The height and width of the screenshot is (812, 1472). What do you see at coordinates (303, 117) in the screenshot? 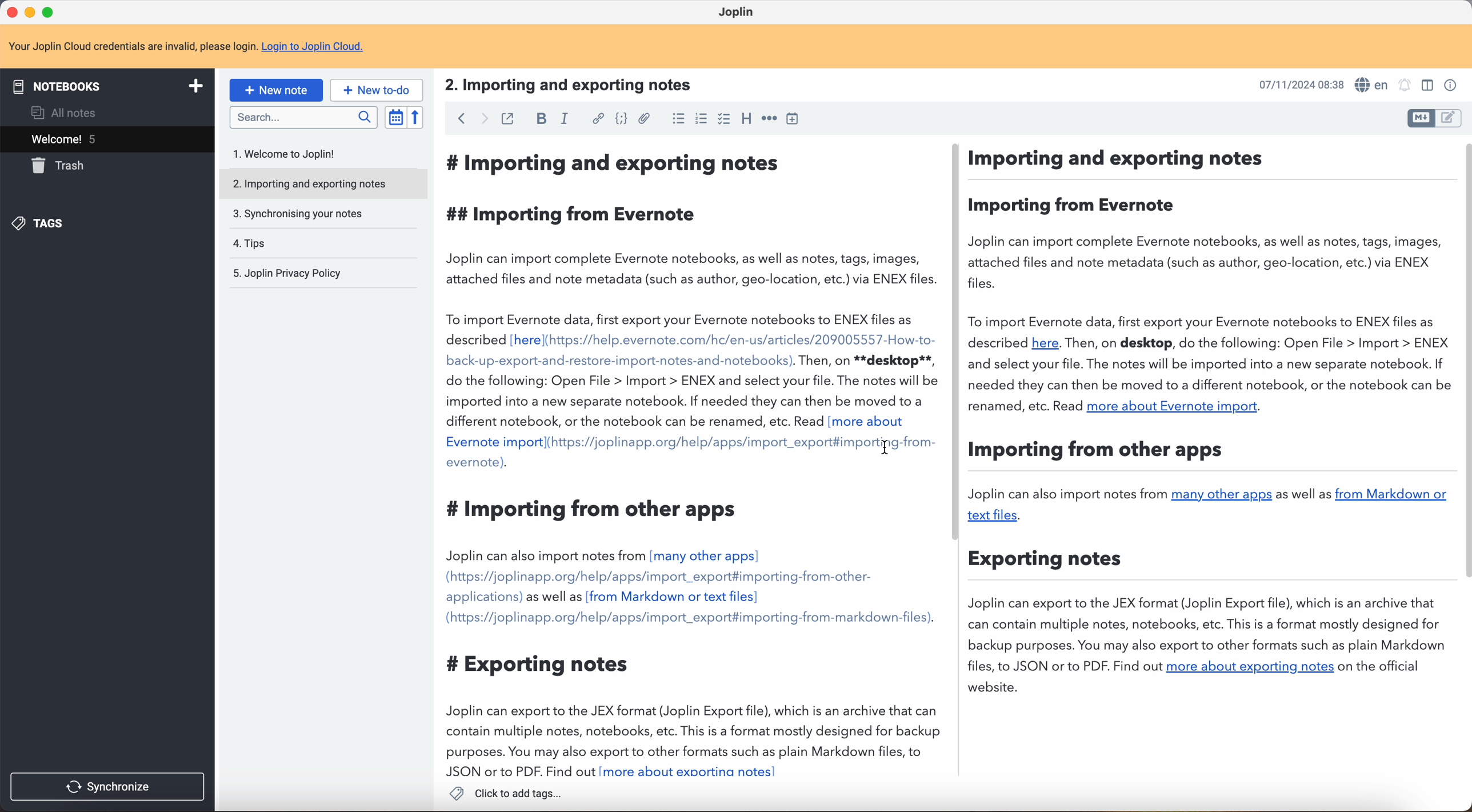
I see `search bar` at bounding box center [303, 117].